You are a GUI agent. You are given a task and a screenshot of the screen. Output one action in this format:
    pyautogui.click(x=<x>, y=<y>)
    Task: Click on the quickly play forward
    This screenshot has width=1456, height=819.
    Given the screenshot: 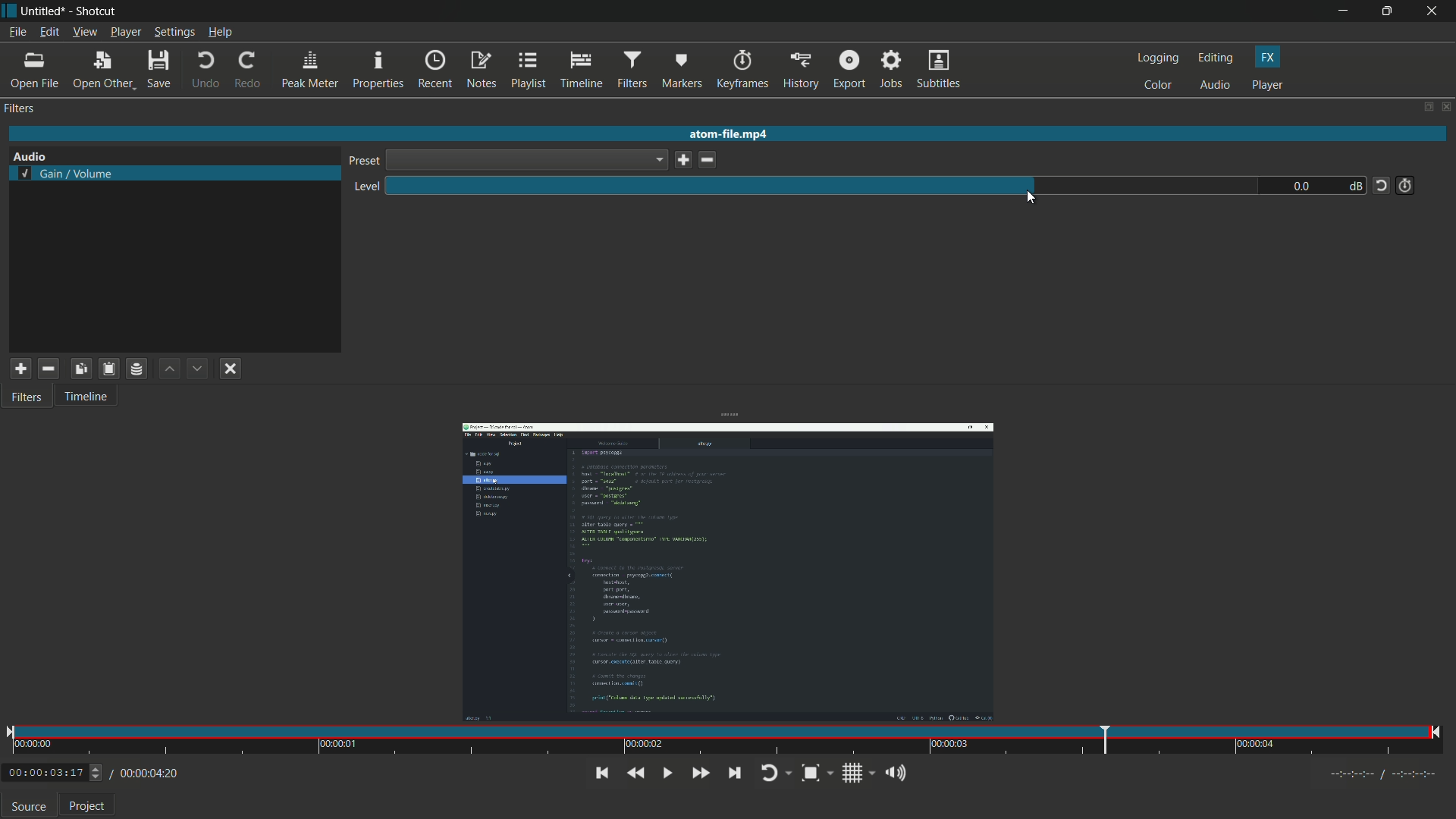 What is the action you would take?
    pyautogui.click(x=702, y=773)
    